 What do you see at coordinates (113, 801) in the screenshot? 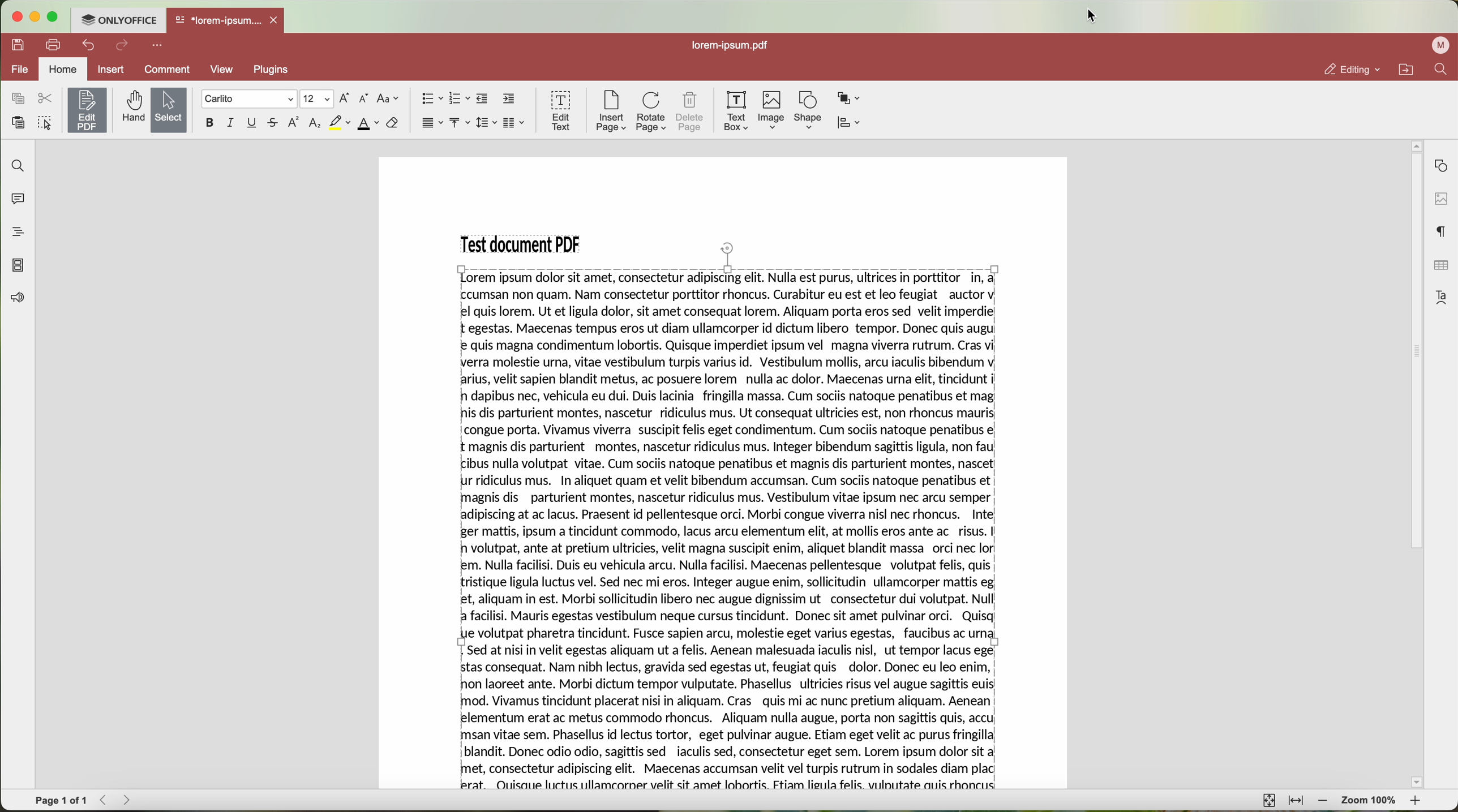
I see `navigate arrows` at bounding box center [113, 801].